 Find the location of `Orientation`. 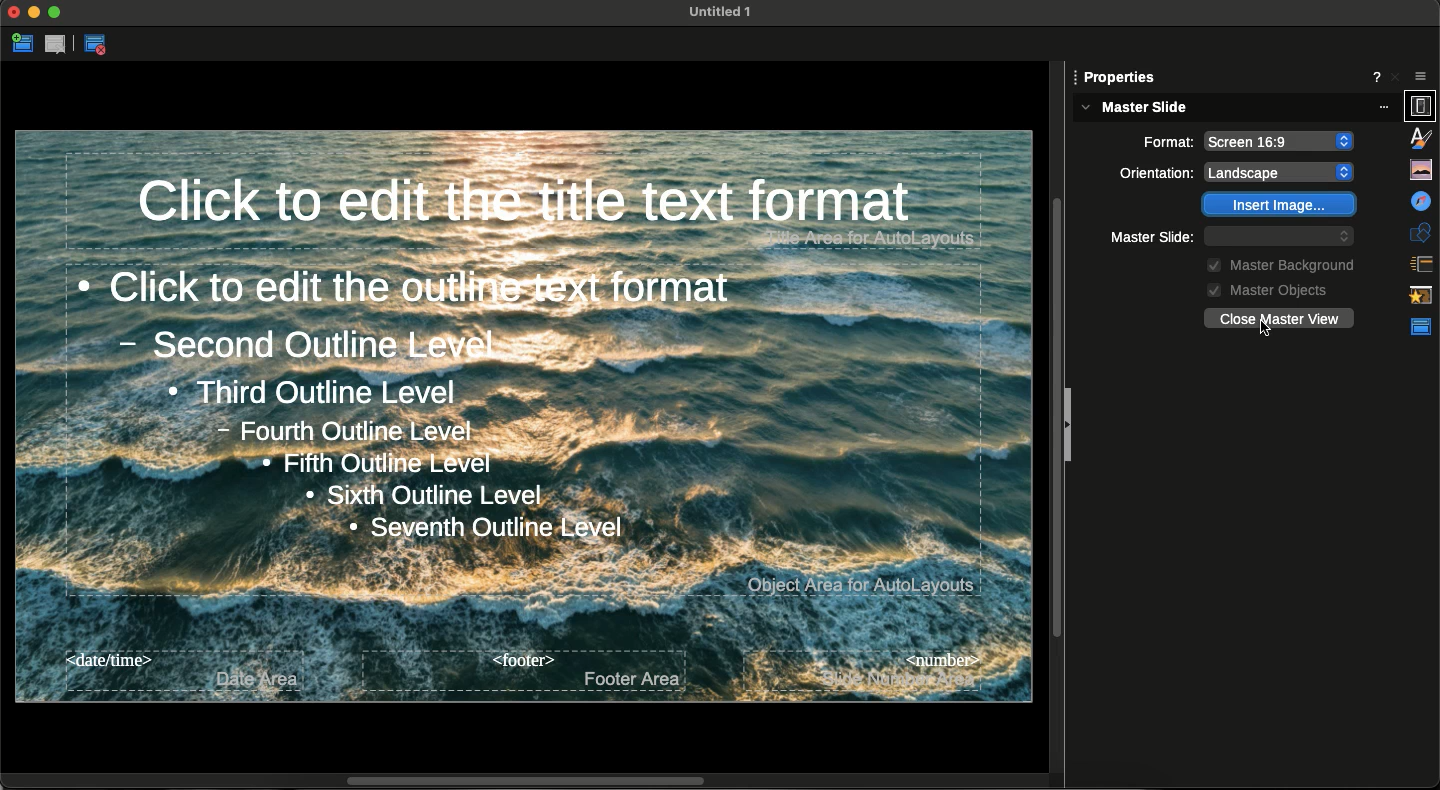

Orientation is located at coordinates (1167, 141).